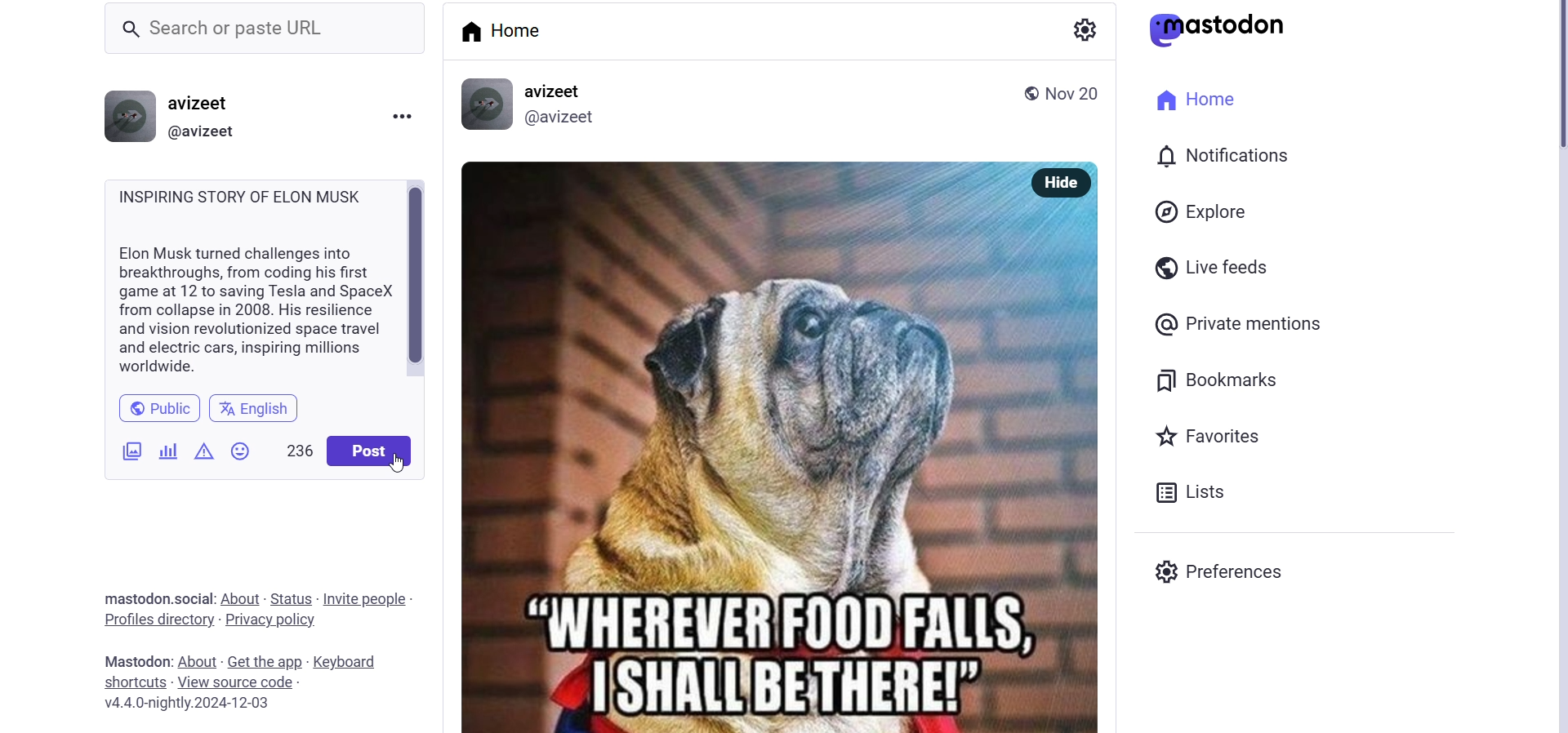 The image size is (1568, 733). Describe the element at coordinates (157, 620) in the screenshot. I see `profiles directory` at that location.